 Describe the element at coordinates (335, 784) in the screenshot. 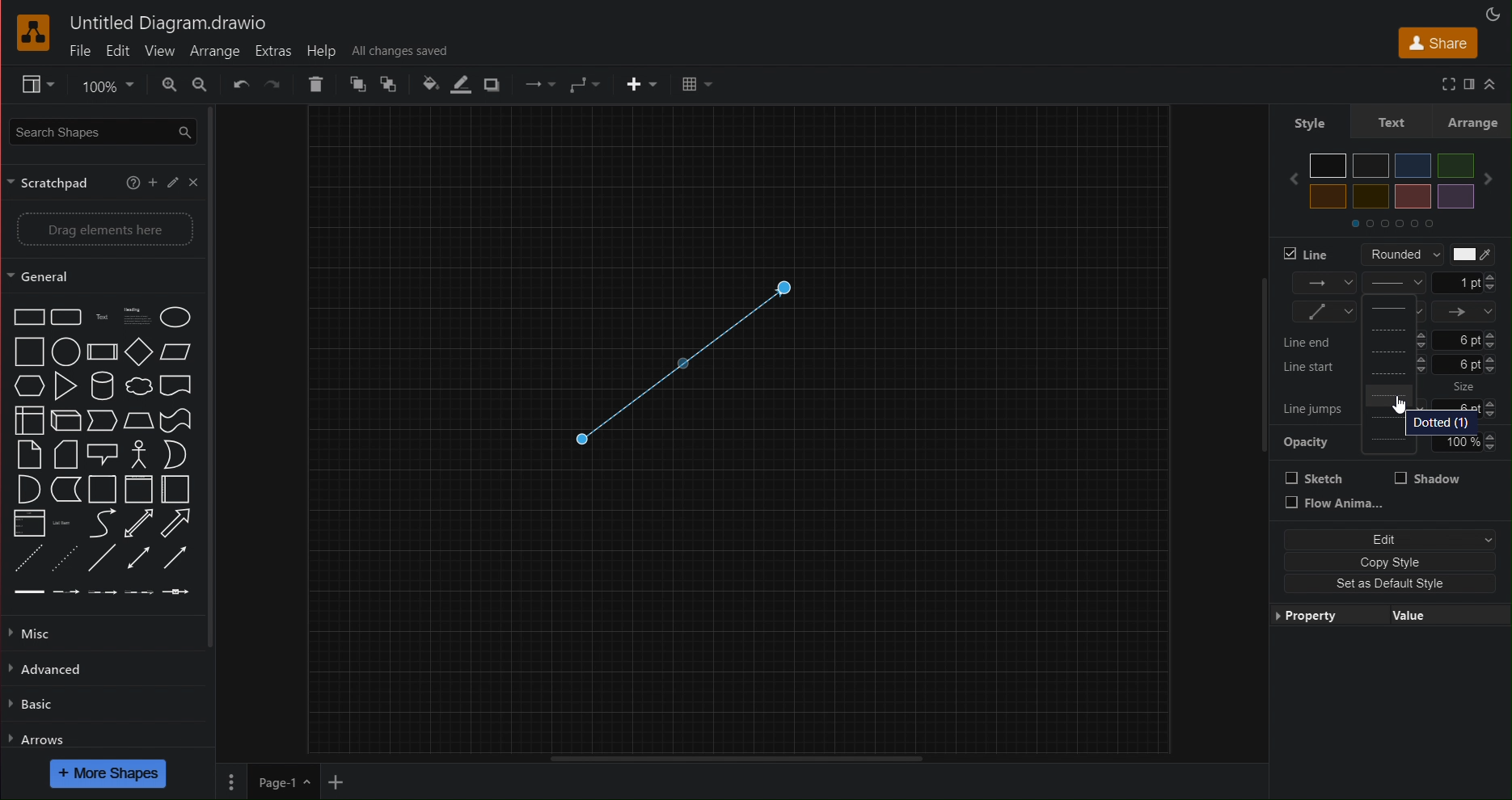

I see `add page` at that location.